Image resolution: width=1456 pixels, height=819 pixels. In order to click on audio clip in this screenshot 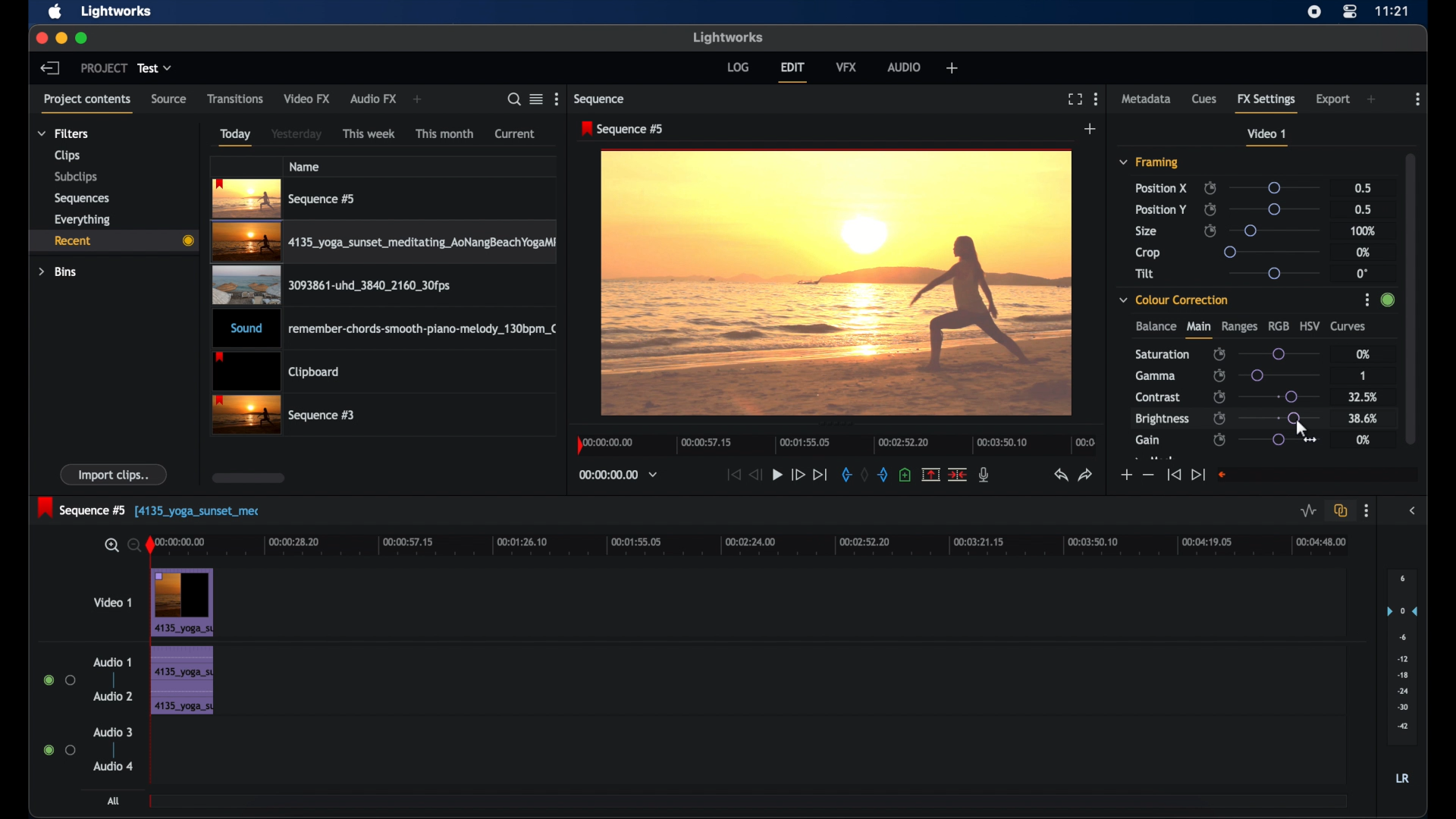, I will do `click(181, 682)`.